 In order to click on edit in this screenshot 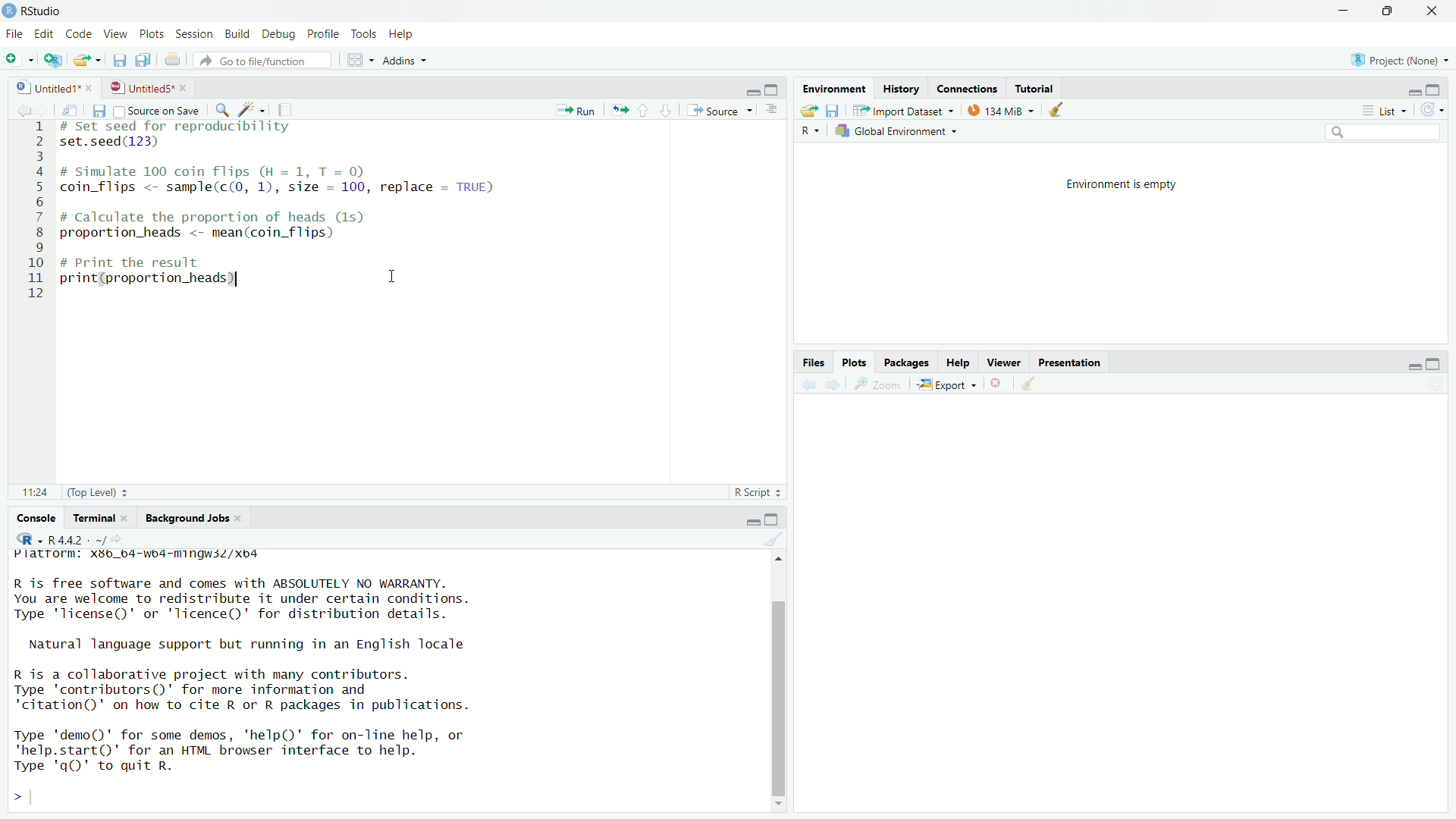, I will do `click(45, 33)`.